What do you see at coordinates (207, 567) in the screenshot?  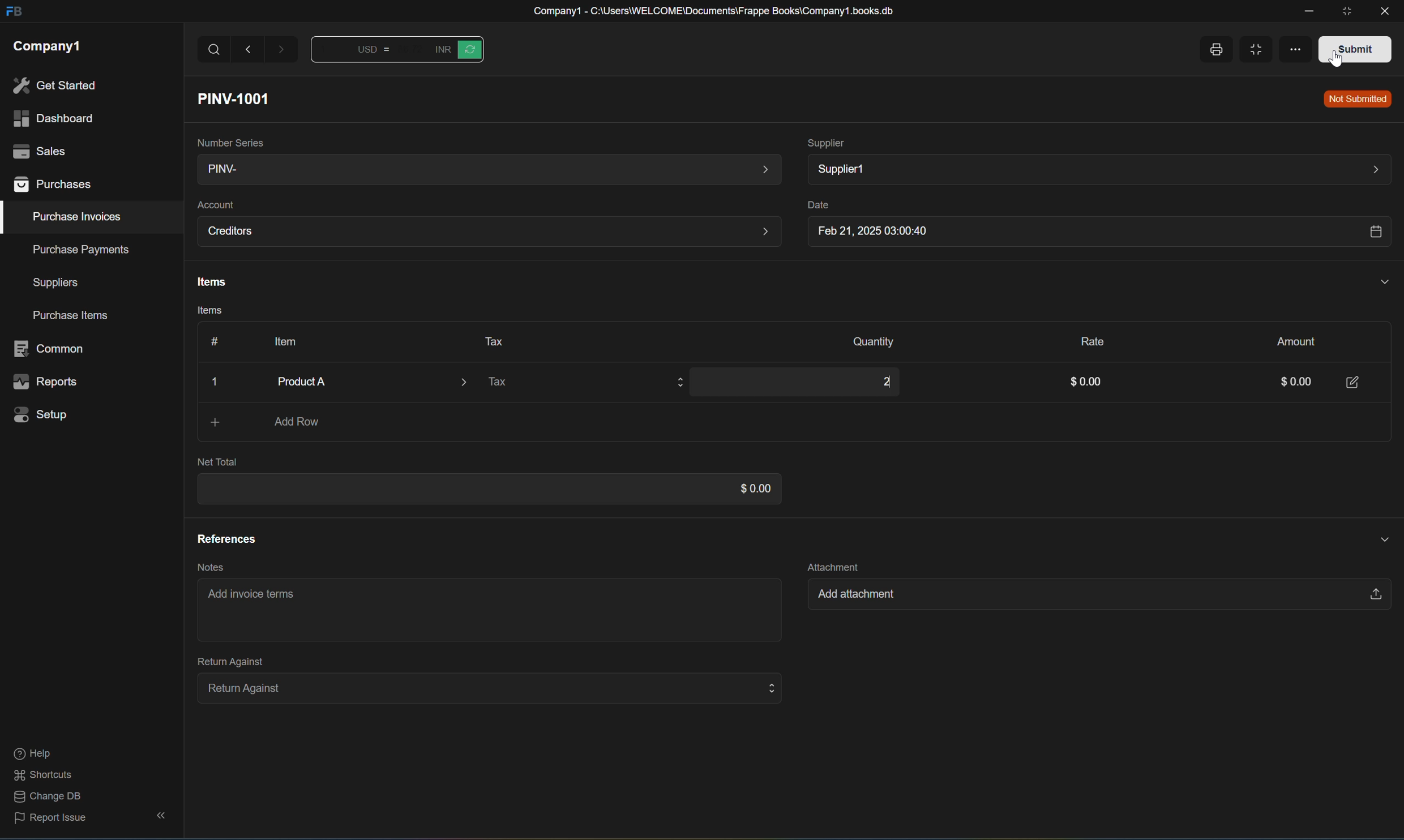 I see `Notes` at bounding box center [207, 567].